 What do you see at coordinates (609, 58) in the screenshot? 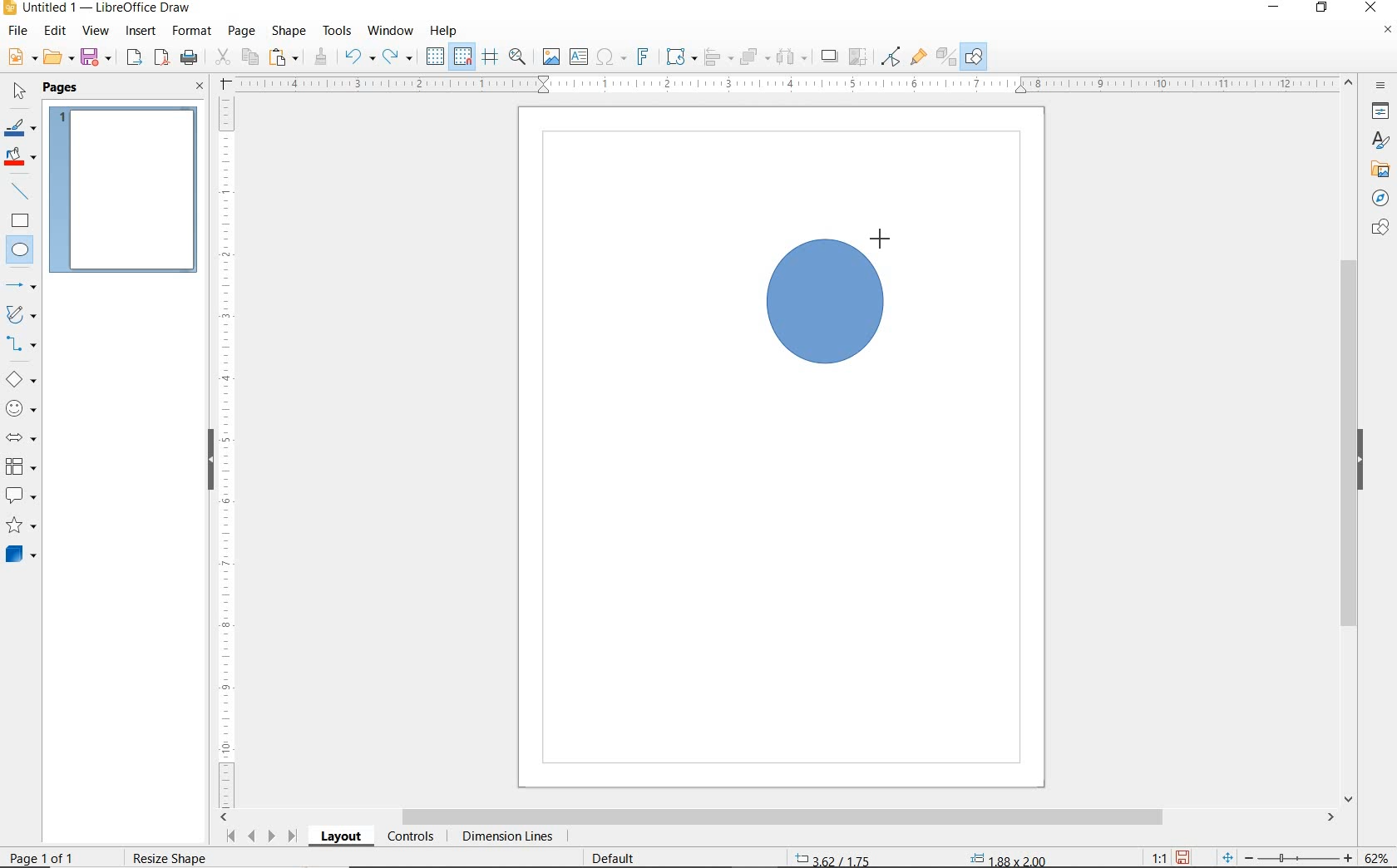
I see `INSERT SPECIAL CHARACTERS` at bounding box center [609, 58].